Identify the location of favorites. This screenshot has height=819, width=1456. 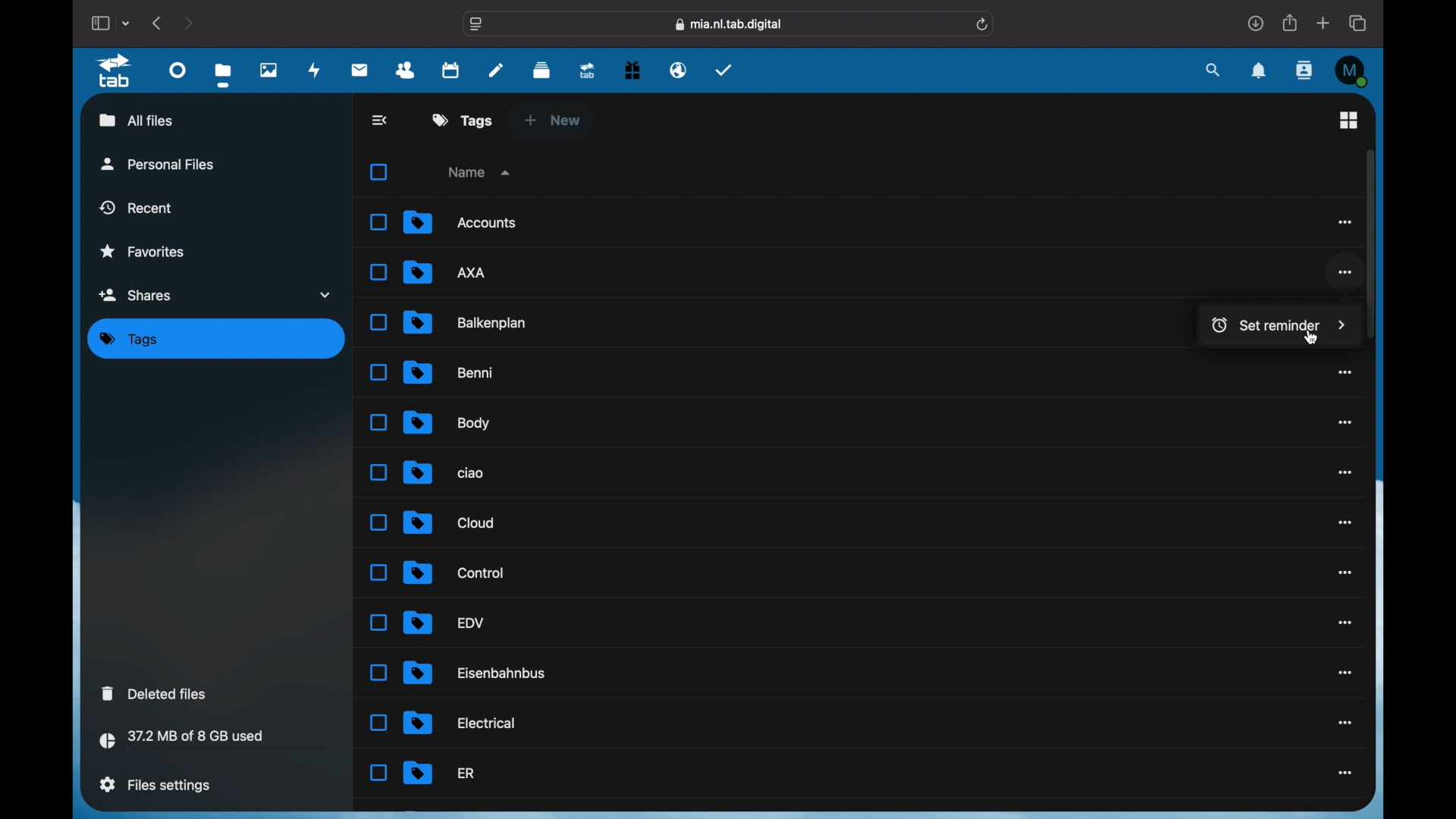
(142, 252).